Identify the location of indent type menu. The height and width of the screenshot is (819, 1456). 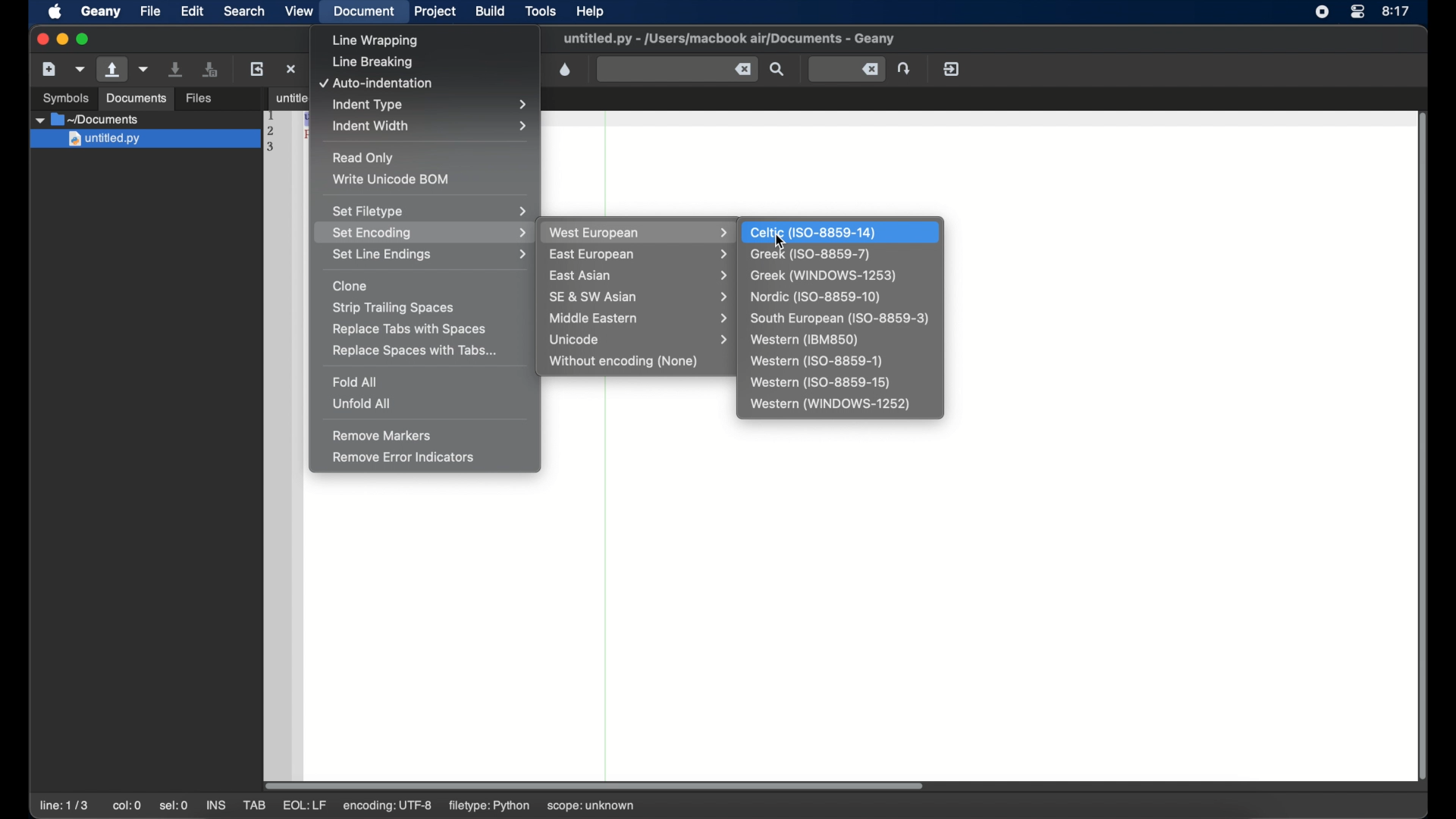
(433, 105).